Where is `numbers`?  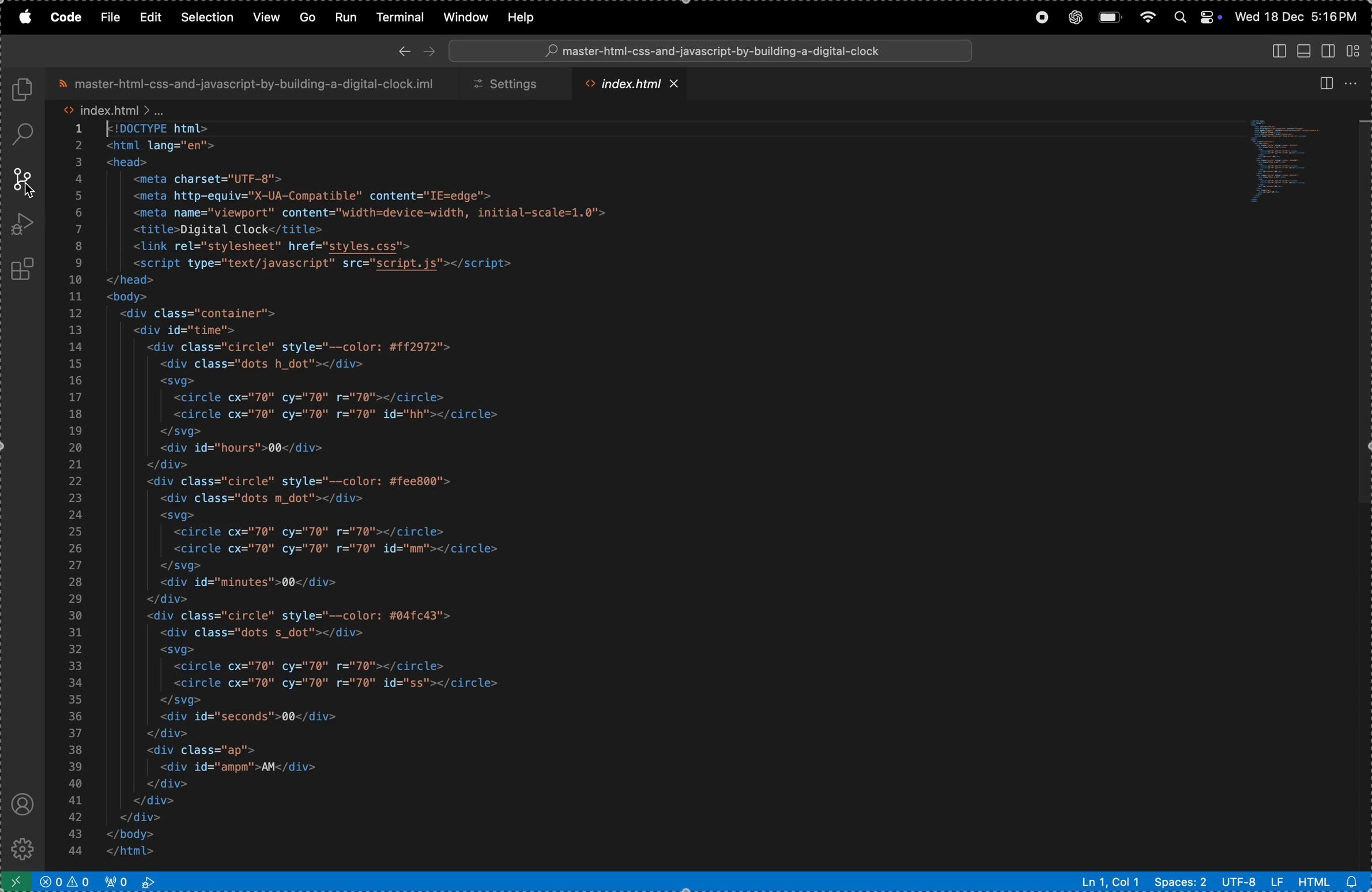
numbers is located at coordinates (77, 493).